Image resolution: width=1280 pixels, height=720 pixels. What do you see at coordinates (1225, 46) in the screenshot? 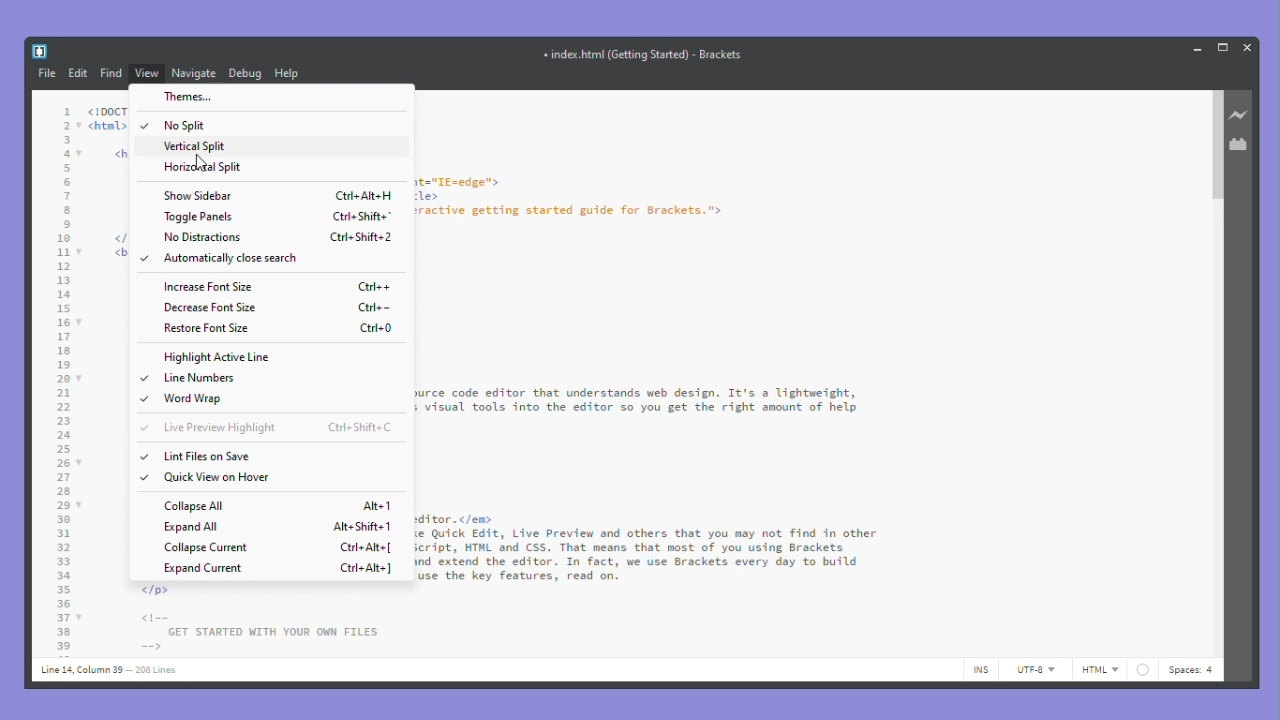
I see `Maximize` at bounding box center [1225, 46].